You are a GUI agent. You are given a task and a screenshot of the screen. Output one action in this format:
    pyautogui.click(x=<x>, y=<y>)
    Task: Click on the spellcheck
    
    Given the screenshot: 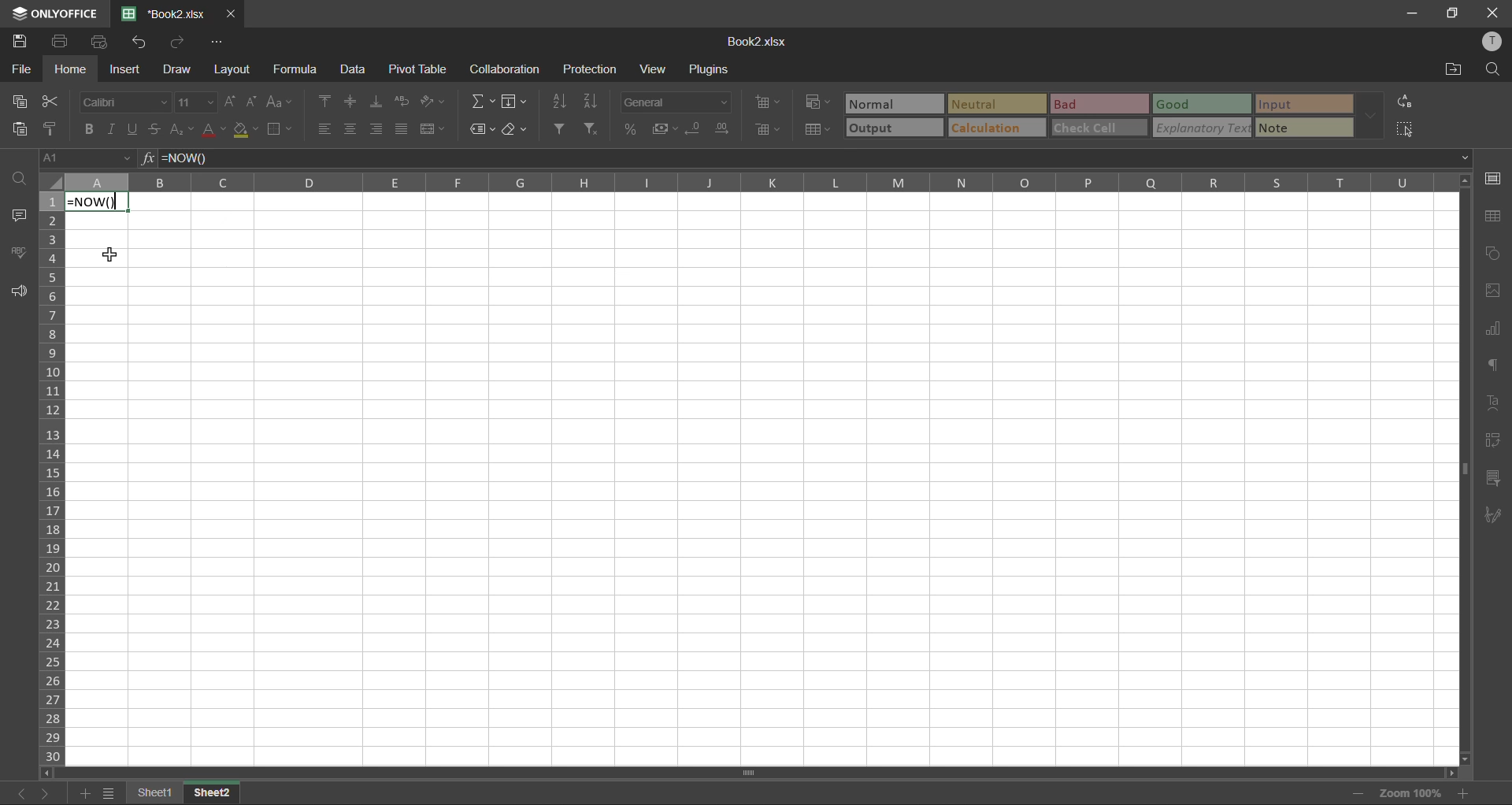 What is the action you would take?
    pyautogui.click(x=20, y=251)
    